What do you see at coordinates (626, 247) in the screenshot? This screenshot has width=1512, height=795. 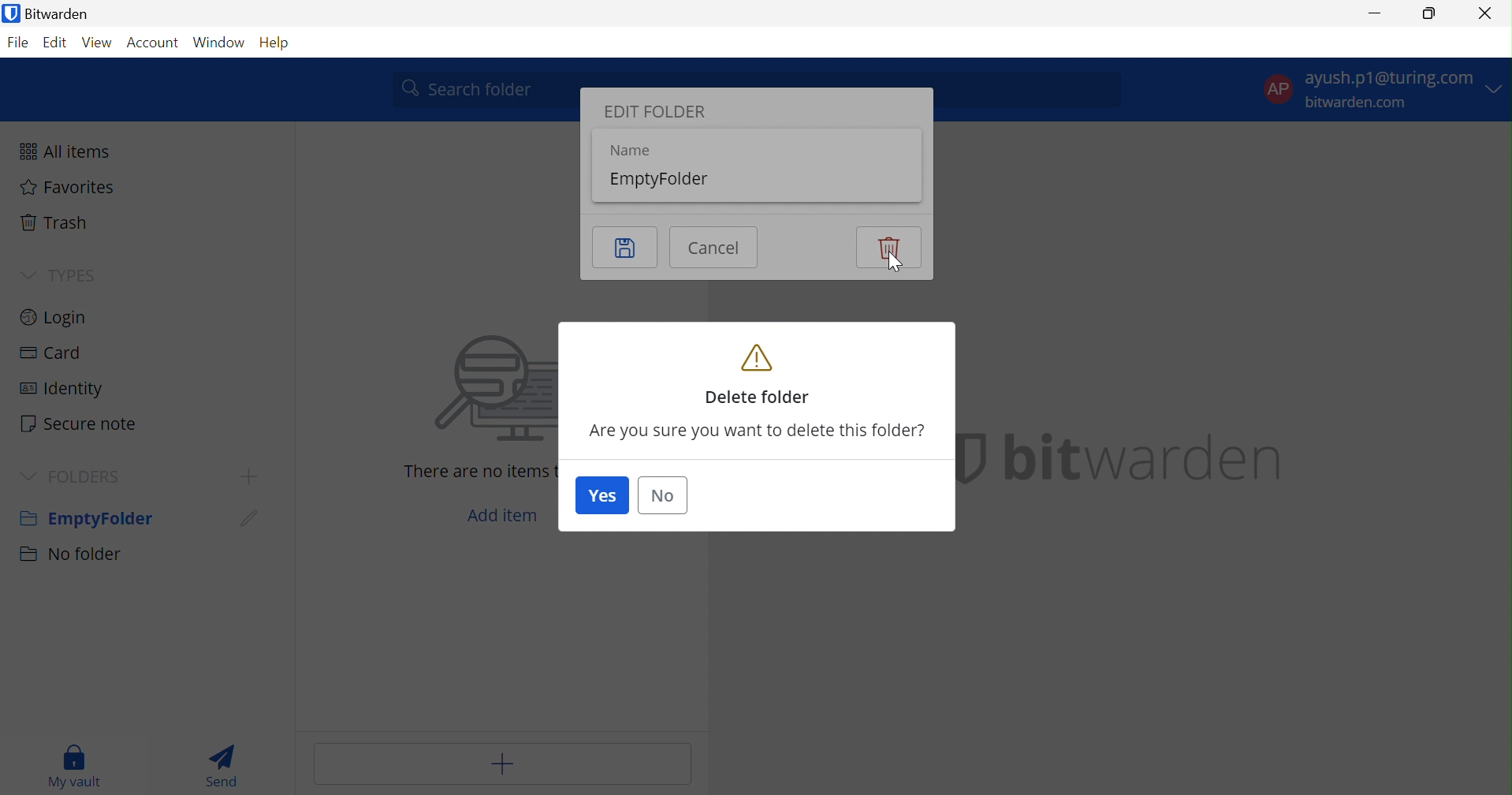 I see `Edit` at bounding box center [626, 247].